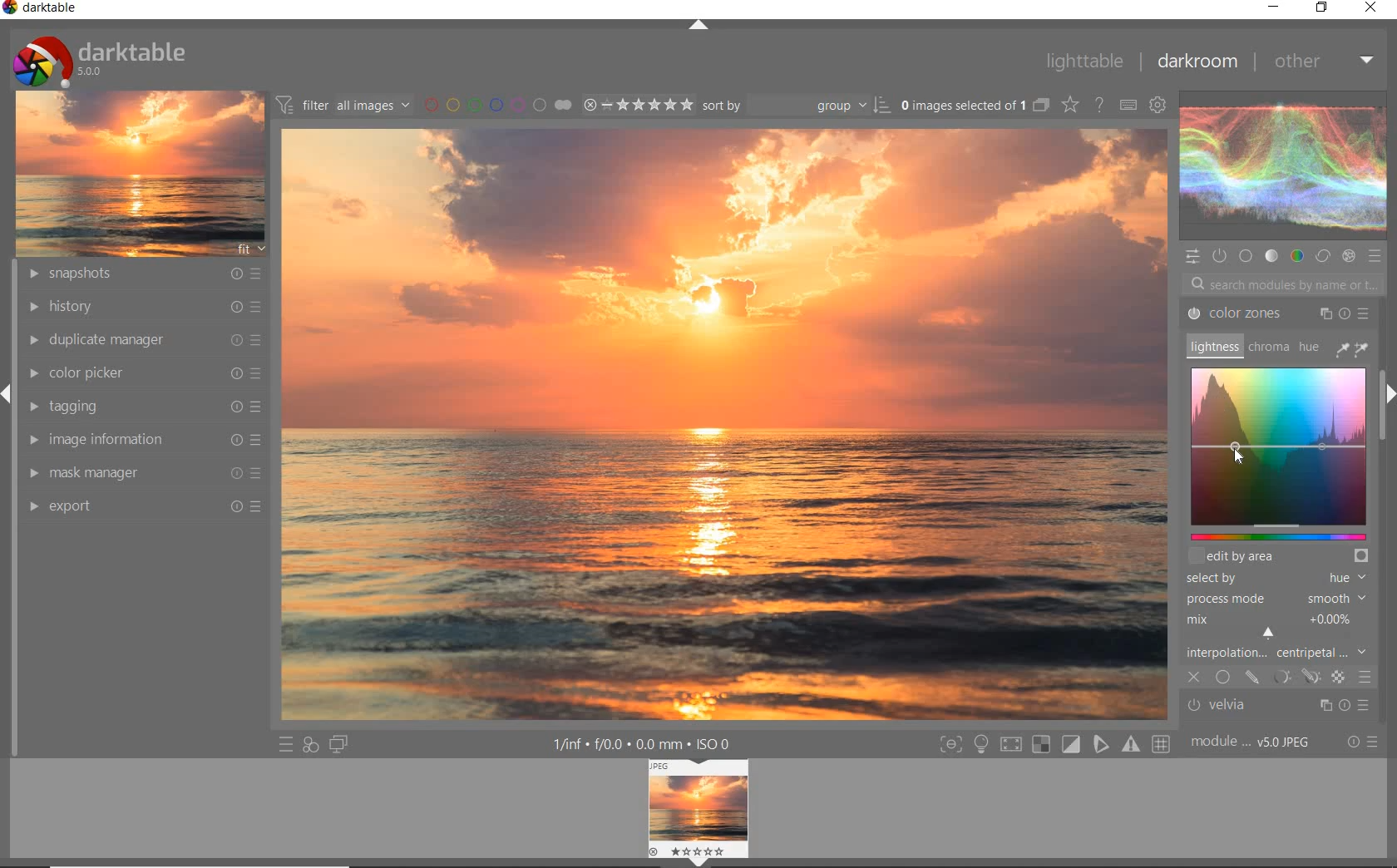 The image size is (1397, 868). Describe the element at coordinates (284, 745) in the screenshot. I see `QUICK ACCESS TO PRESET` at that location.